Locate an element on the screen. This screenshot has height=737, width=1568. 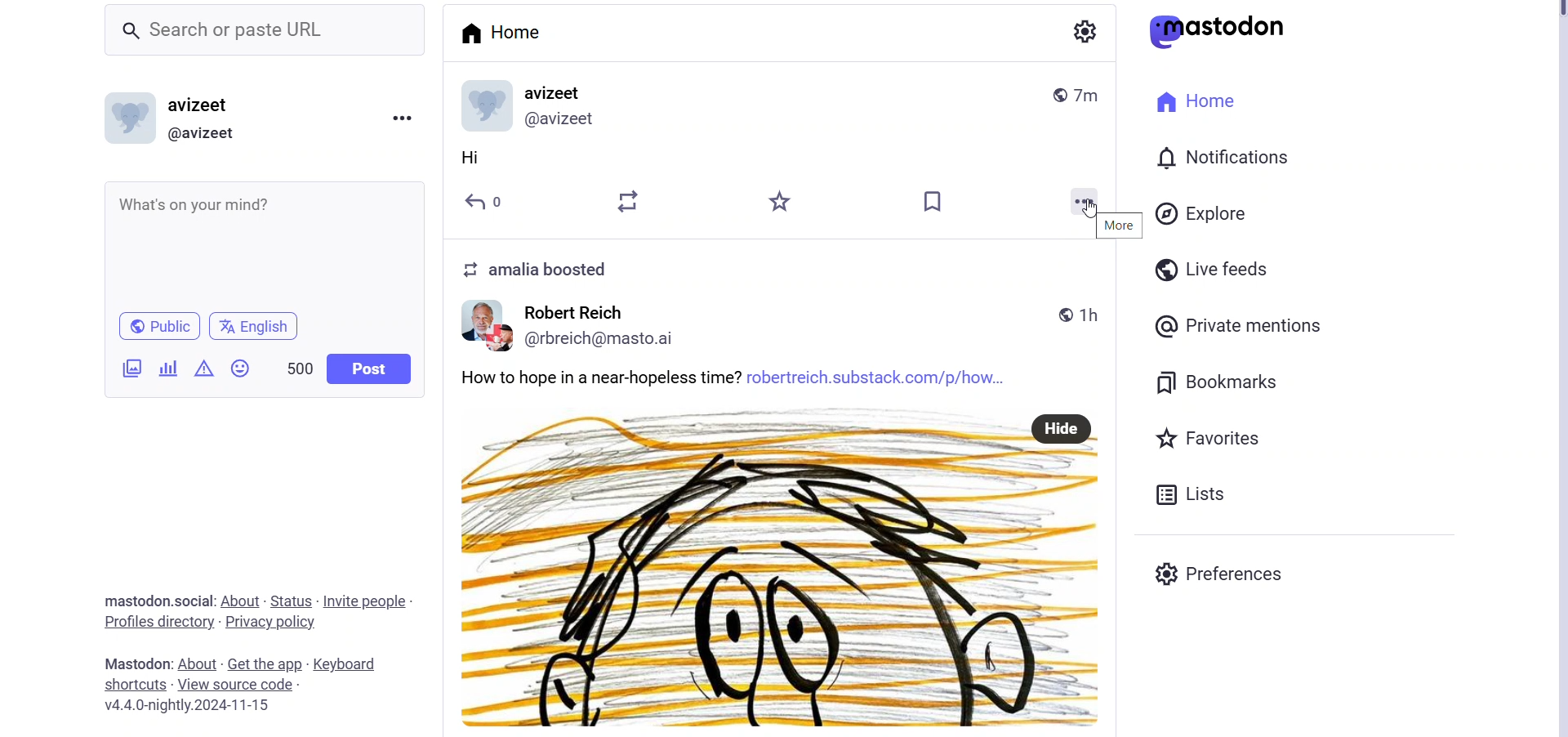
Lists is located at coordinates (1190, 492).